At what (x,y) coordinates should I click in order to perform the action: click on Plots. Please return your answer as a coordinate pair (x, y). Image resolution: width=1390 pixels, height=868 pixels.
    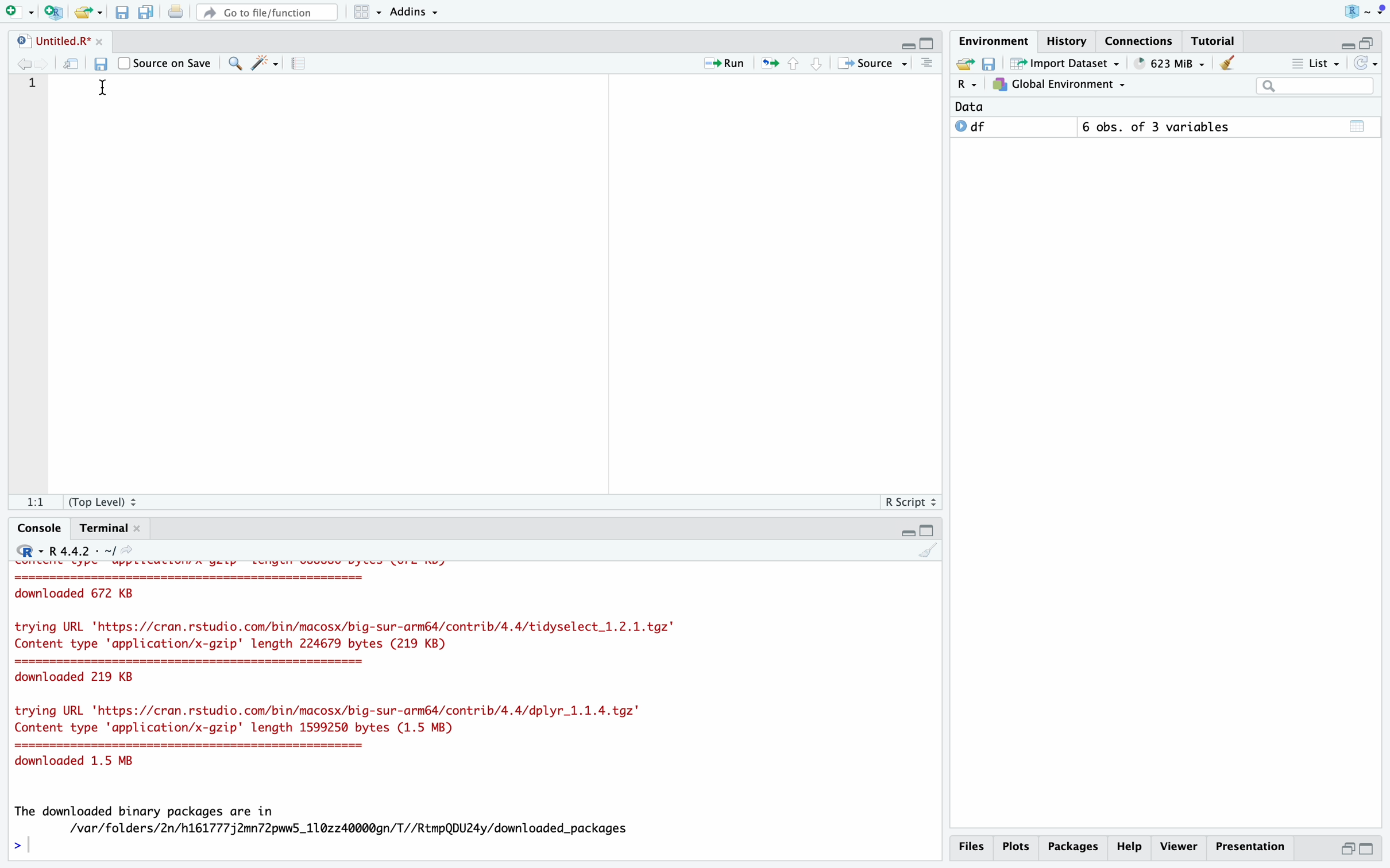
    Looking at the image, I should click on (1018, 847).